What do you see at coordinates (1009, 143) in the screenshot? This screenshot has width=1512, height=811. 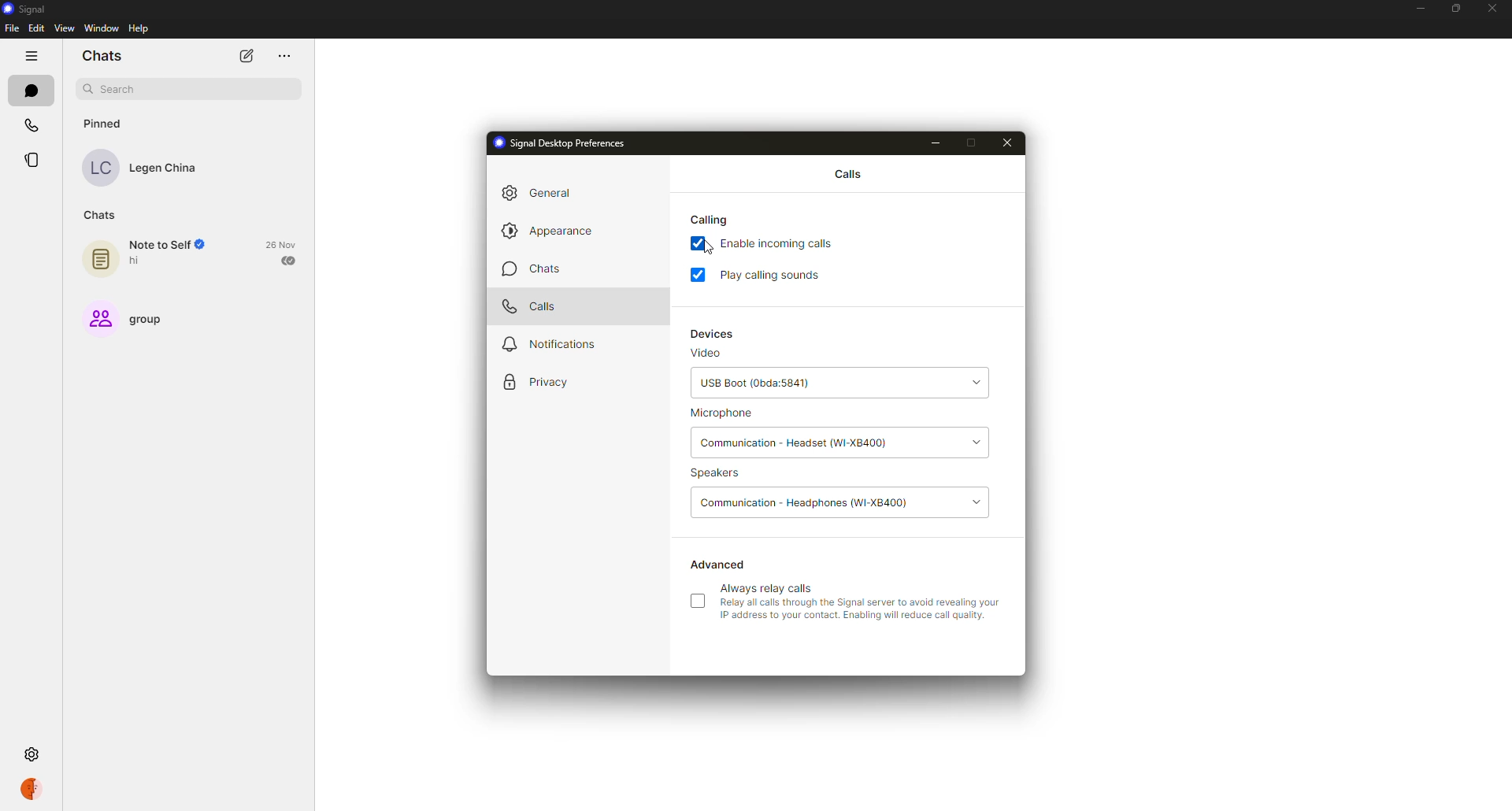 I see `close` at bounding box center [1009, 143].